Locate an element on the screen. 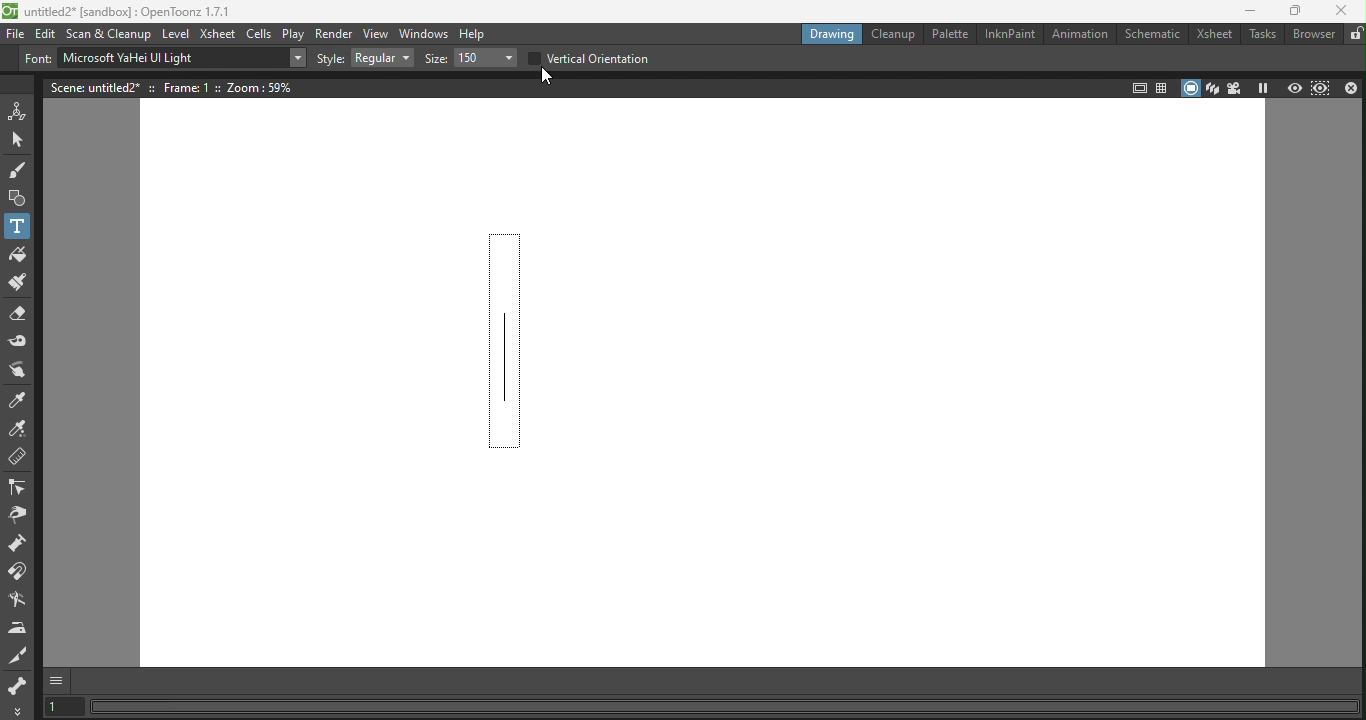 The height and width of the screenshot is (720, 1366). Set the current frame is located at coordinates (64, 706).